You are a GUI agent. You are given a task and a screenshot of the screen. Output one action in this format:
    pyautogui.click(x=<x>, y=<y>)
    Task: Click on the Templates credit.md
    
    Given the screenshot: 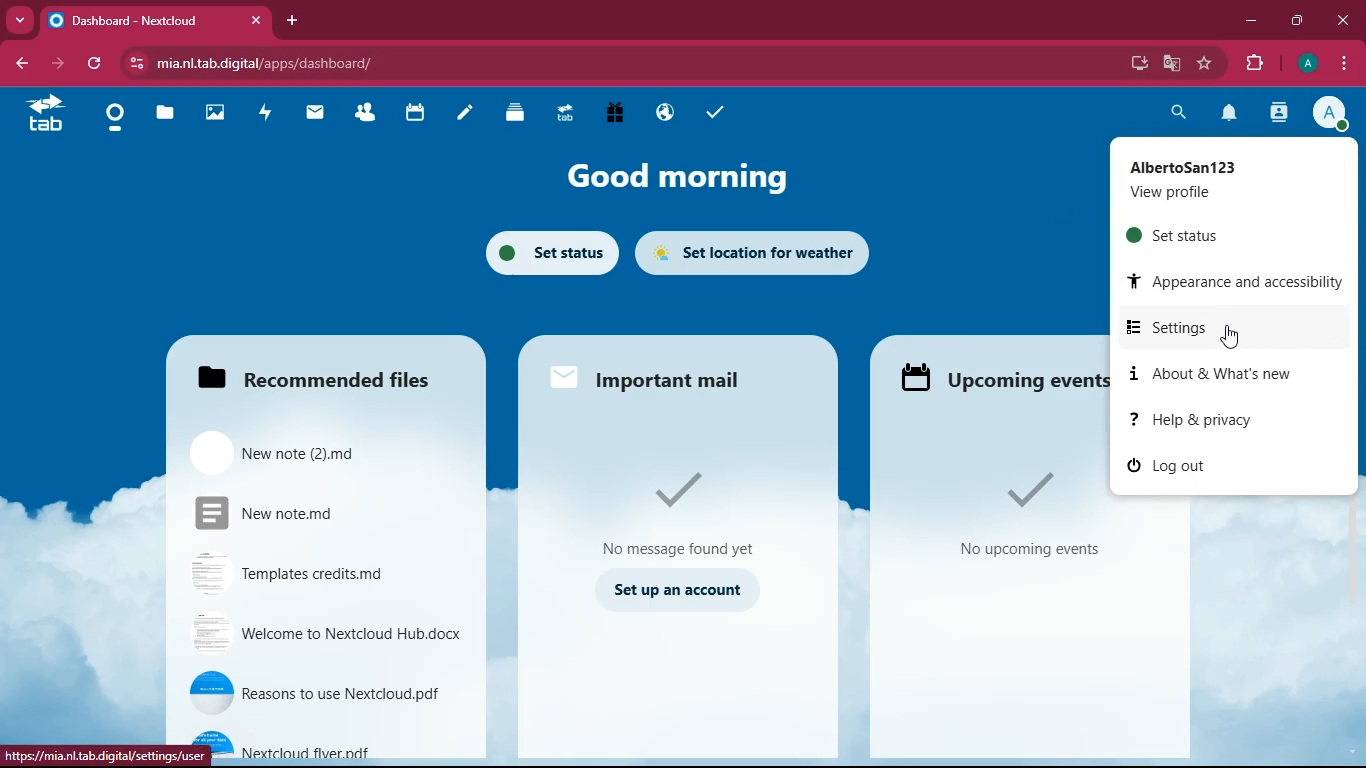 What is the action you would take?
    pyautogui.click(x=331, y=572)
    